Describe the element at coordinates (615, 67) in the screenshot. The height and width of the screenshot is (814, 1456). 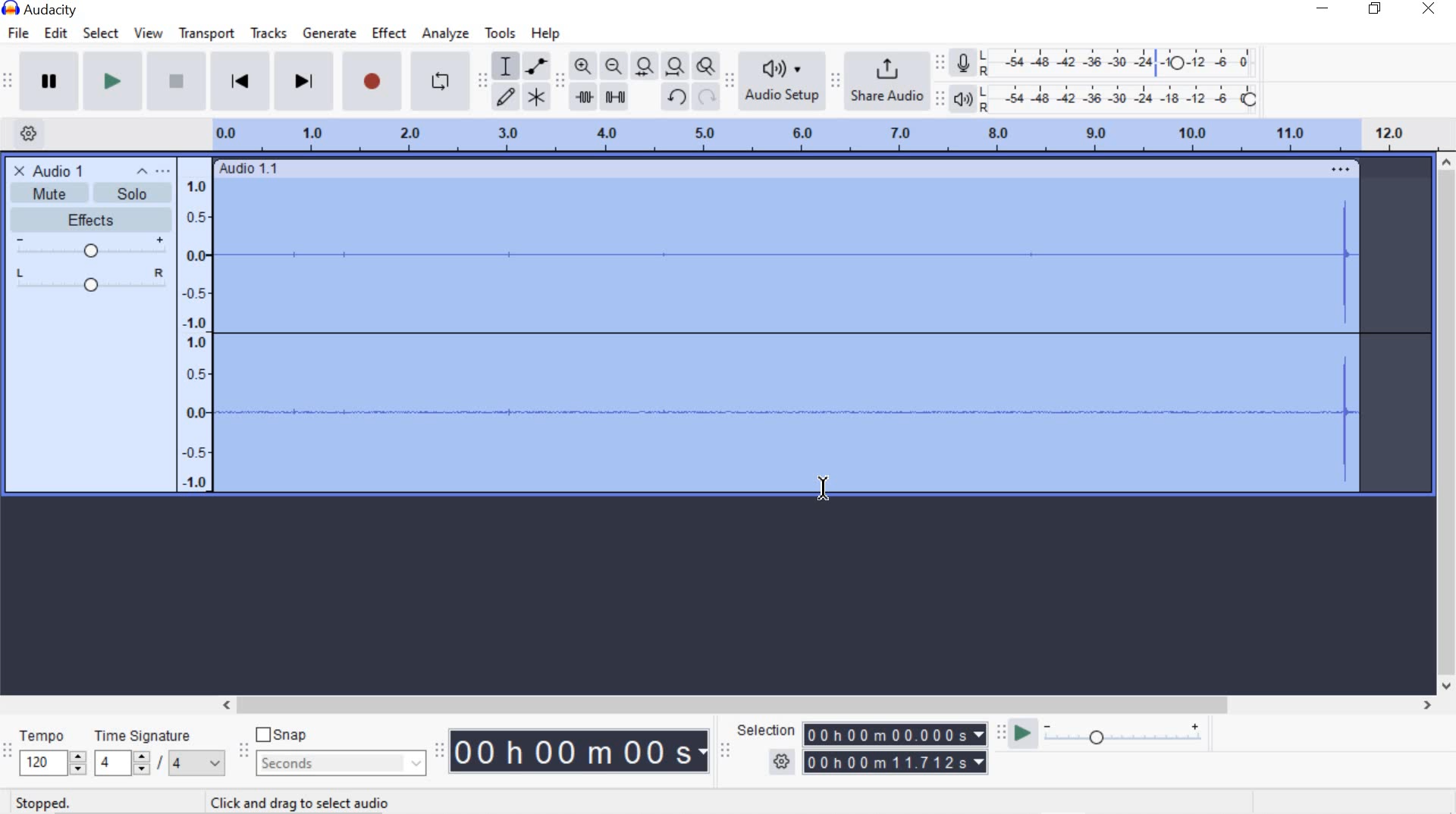
I see `Zoom Out` at that location.